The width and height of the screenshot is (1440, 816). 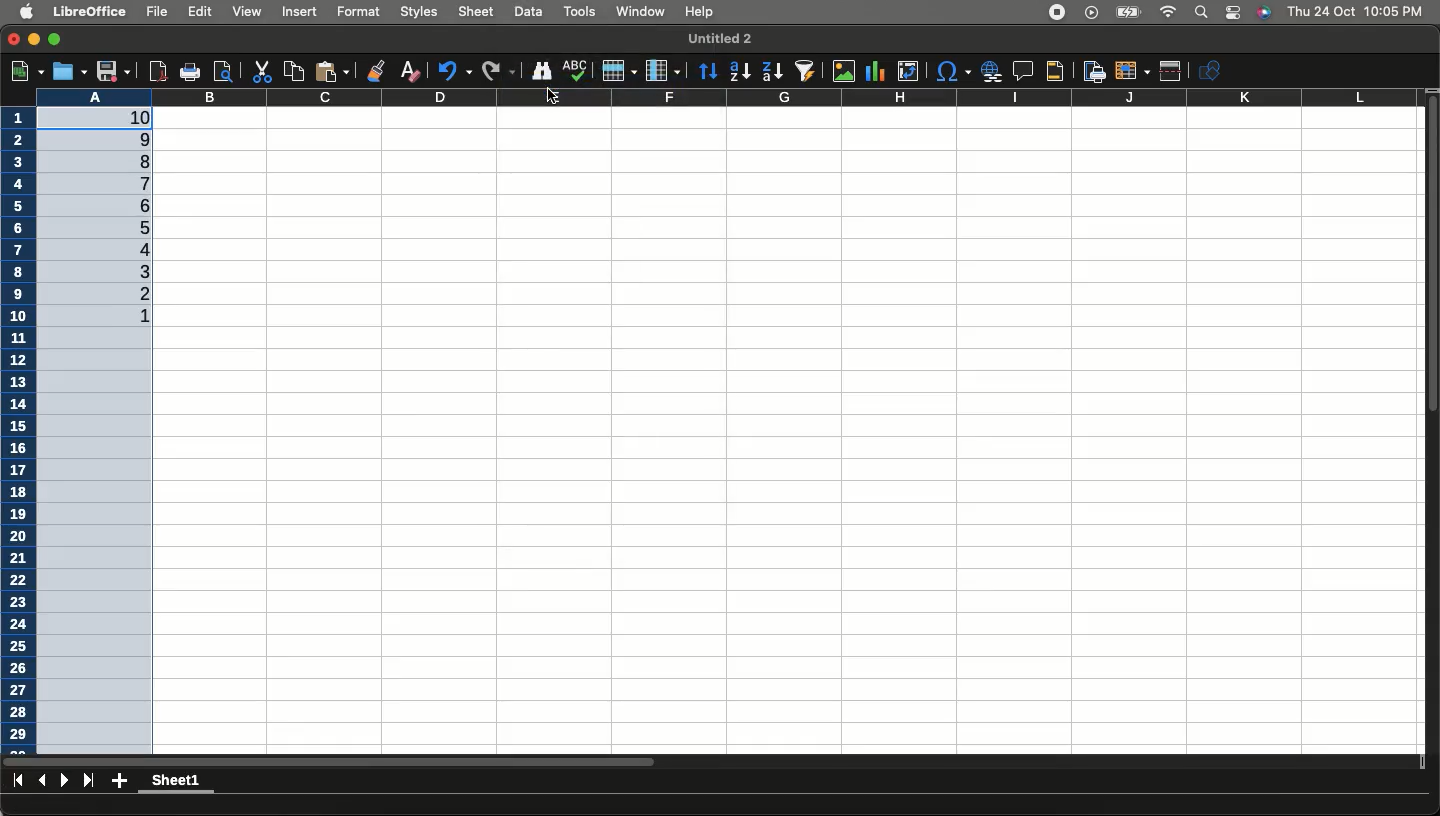 I want to click on Column, so click(x=790, y=99).